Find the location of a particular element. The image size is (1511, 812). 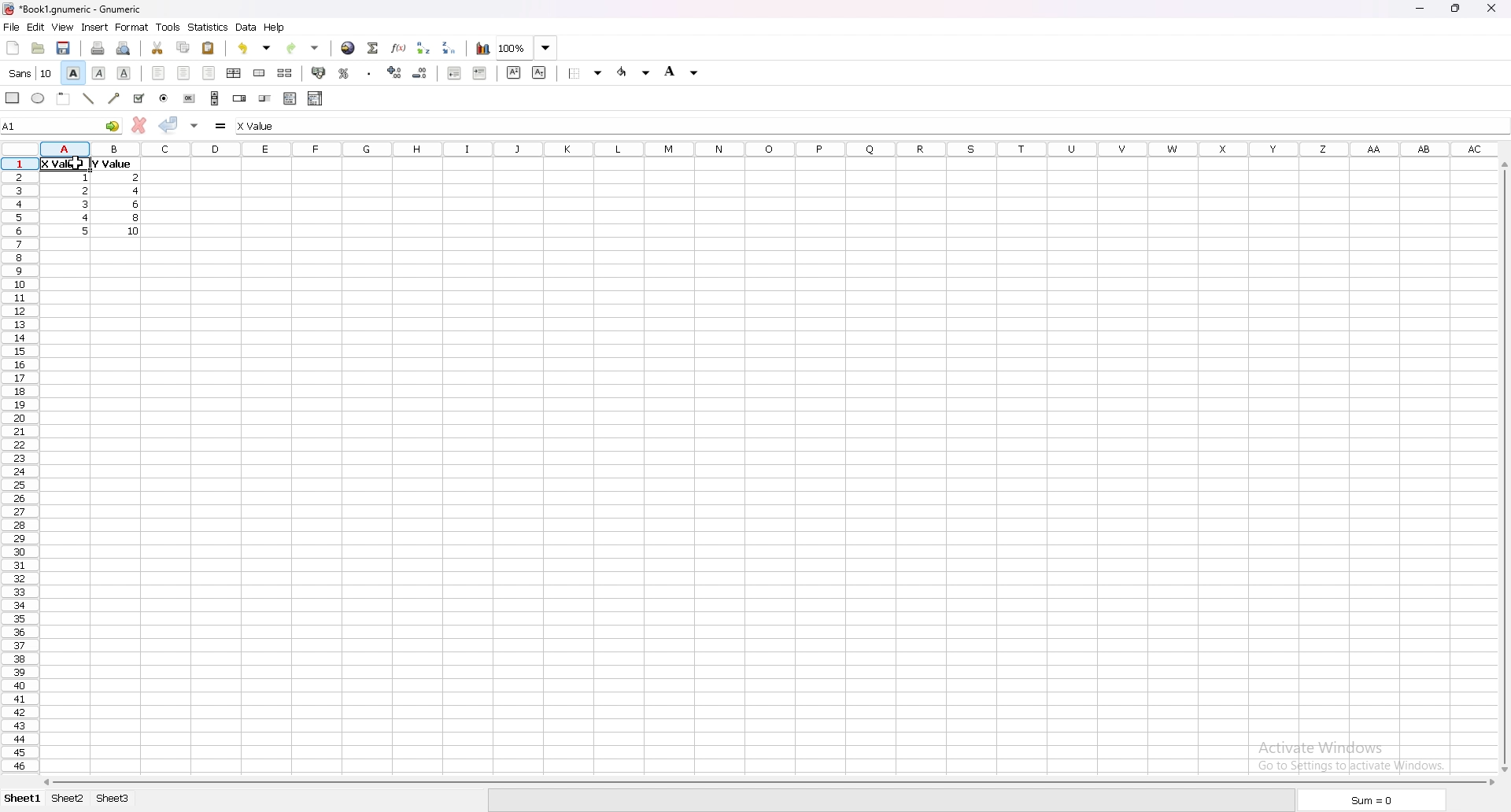

sheet 1 is located at coordinates (24, 799).